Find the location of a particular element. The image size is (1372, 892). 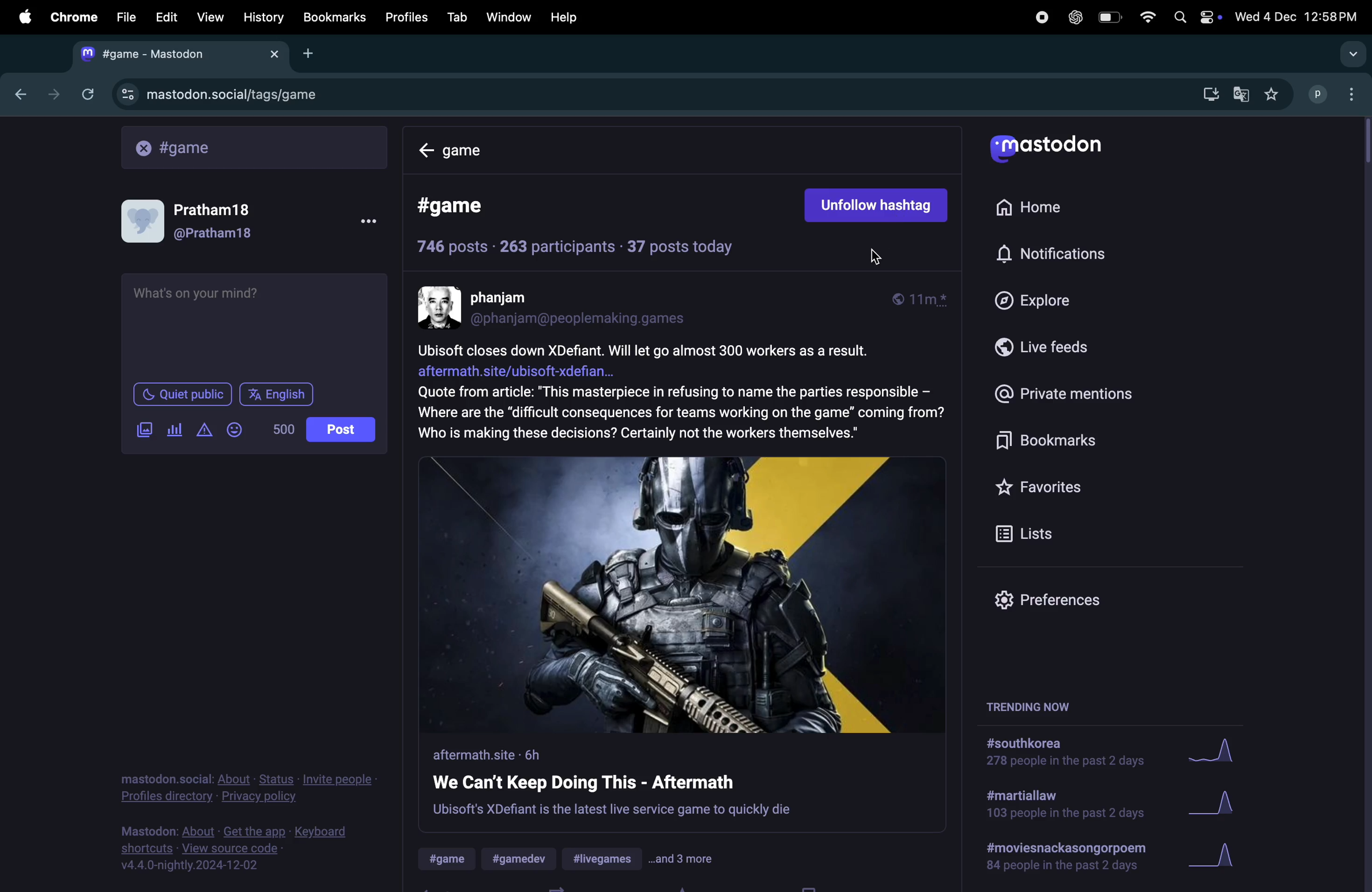

emojis is located at coordinates (239, 430).